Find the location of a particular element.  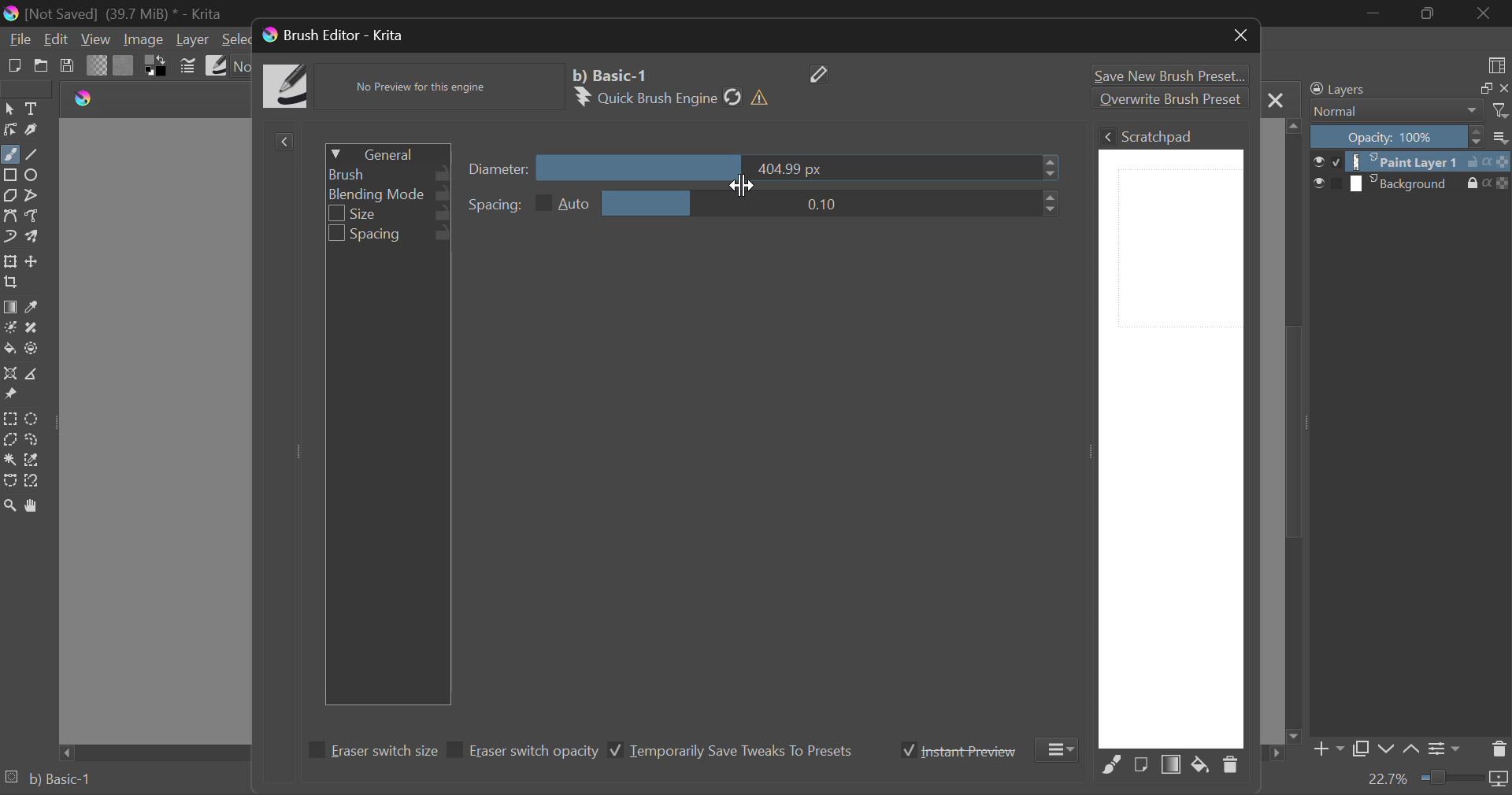

Measurement is located at coordinates (34, 373).